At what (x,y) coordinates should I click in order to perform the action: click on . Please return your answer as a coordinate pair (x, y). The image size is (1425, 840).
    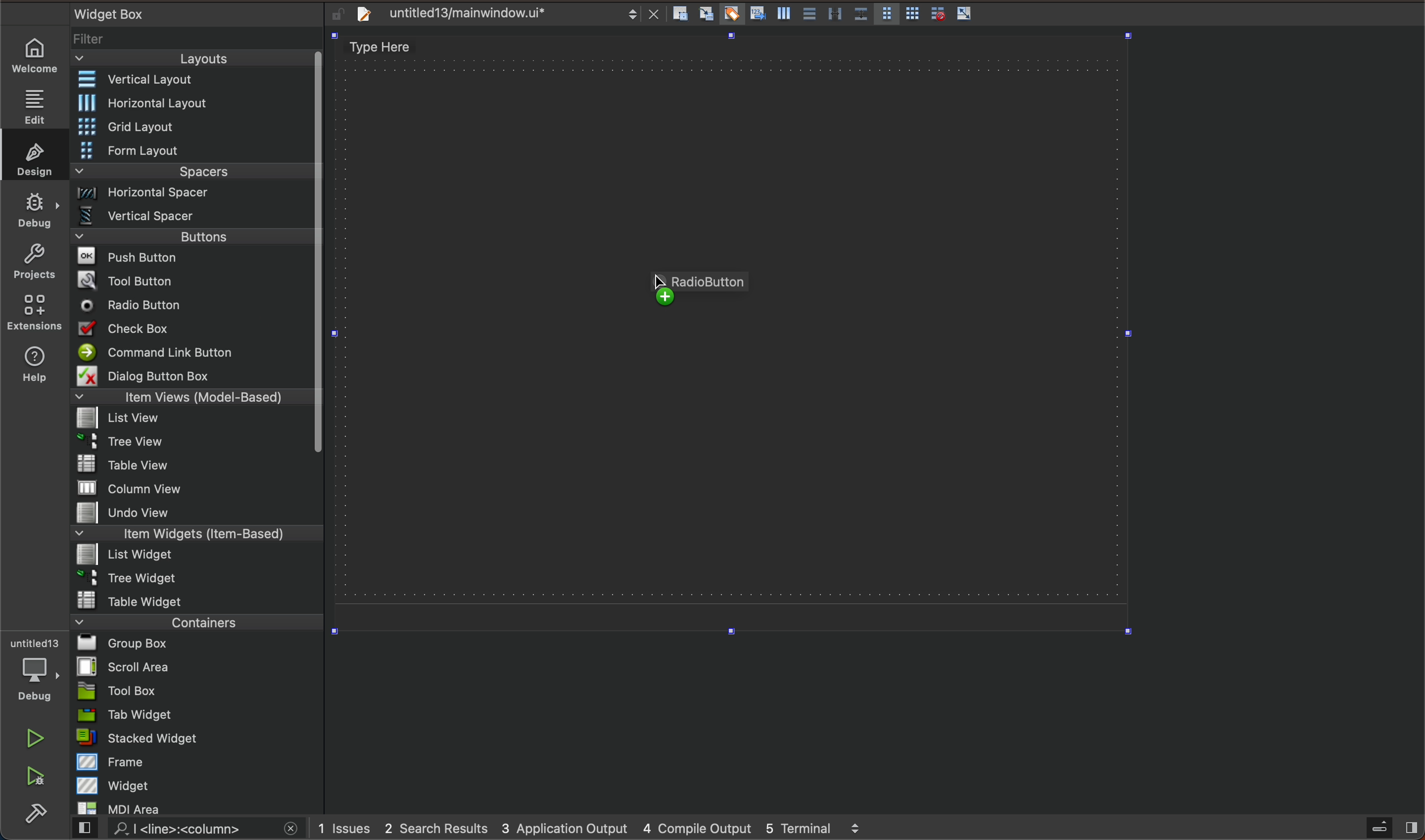
    Looking at the image, I should click on (860, 15).